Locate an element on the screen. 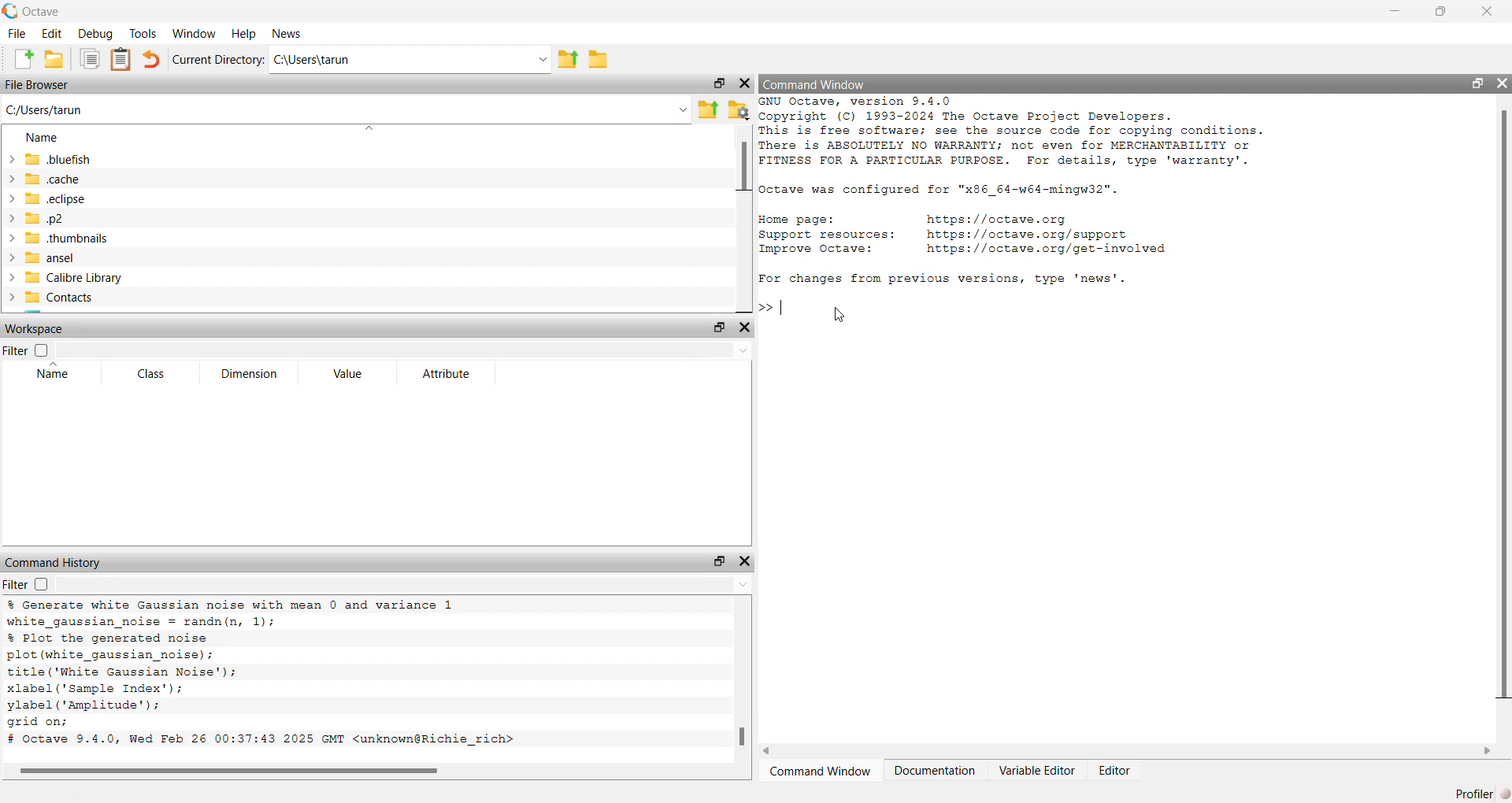 This screenshot has height=803, width=1512.  Editor is located at coordinates (1114, 773).